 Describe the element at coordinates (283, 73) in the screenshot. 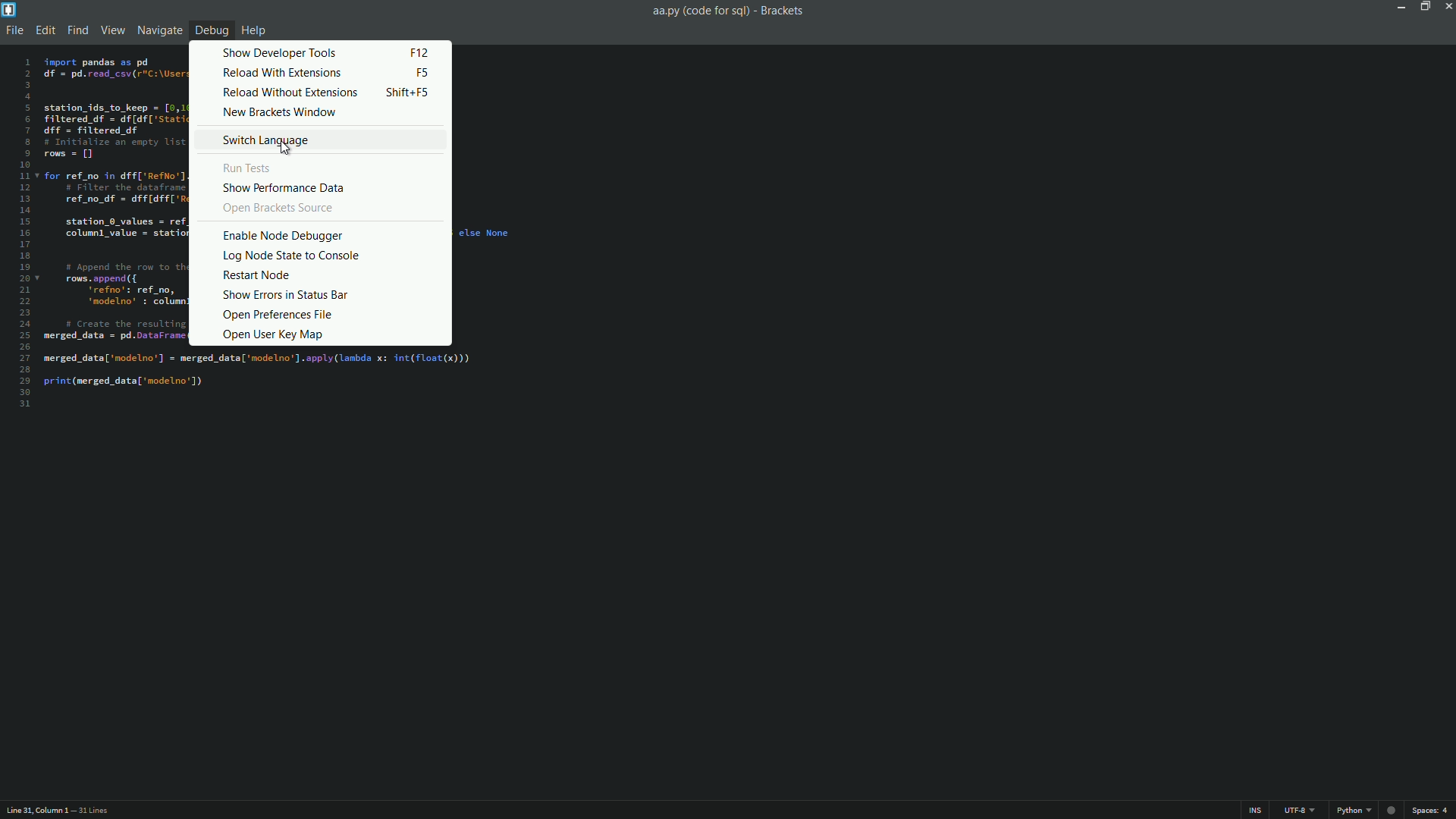

I see `reload with extensions` at that location.